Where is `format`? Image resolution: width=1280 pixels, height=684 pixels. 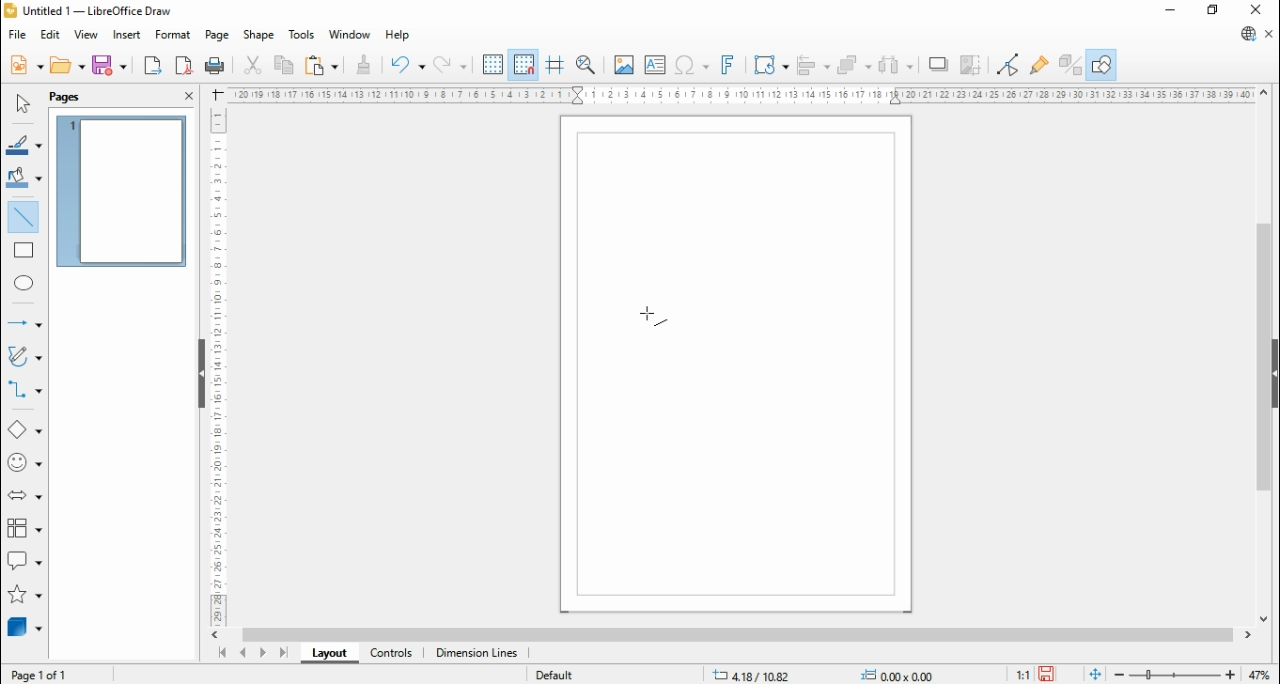
format is located at coordinates (174, 35).